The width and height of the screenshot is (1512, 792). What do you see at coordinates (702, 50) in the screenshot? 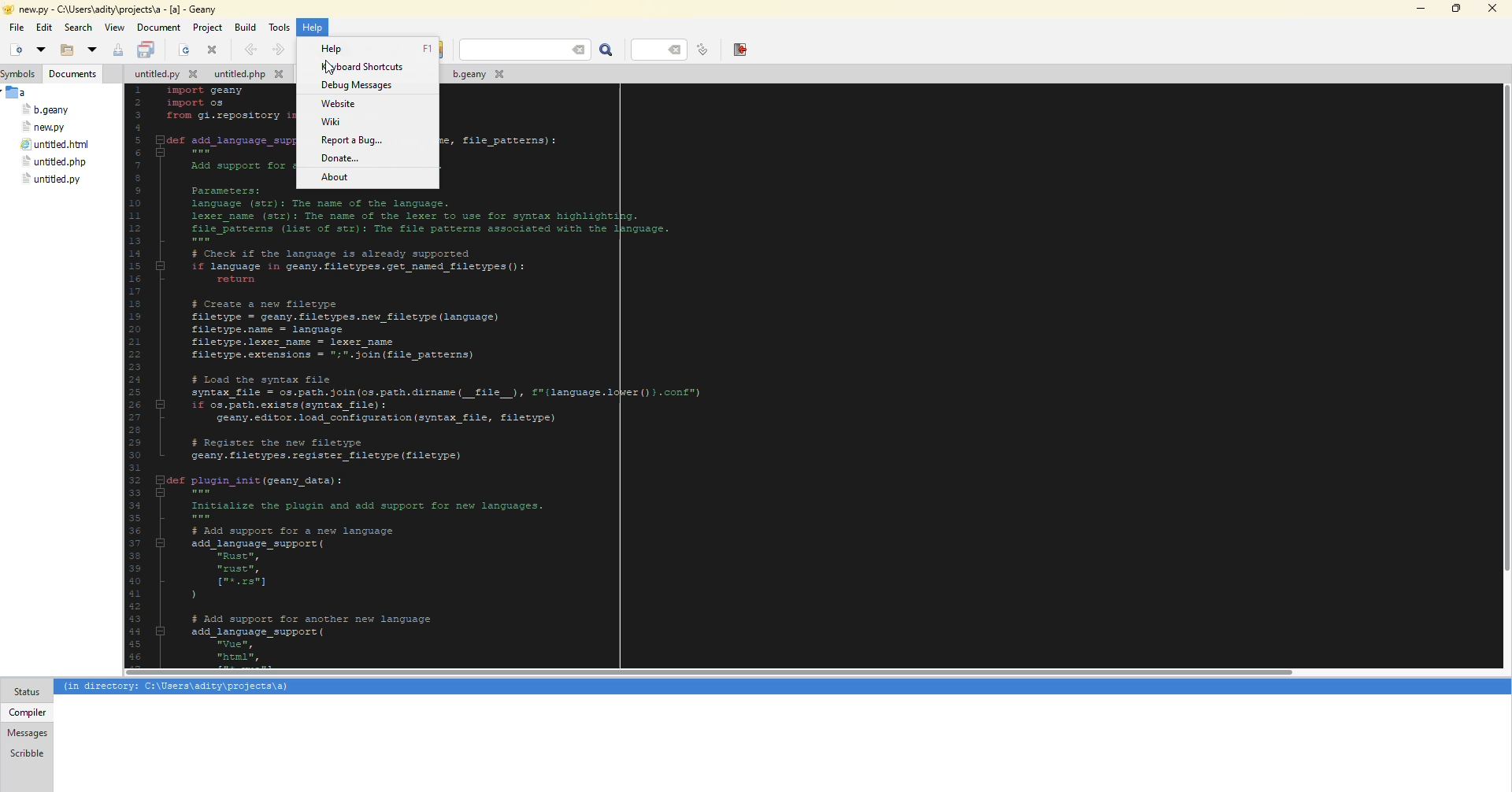
I see `line number` at bounding box center [702, 50].